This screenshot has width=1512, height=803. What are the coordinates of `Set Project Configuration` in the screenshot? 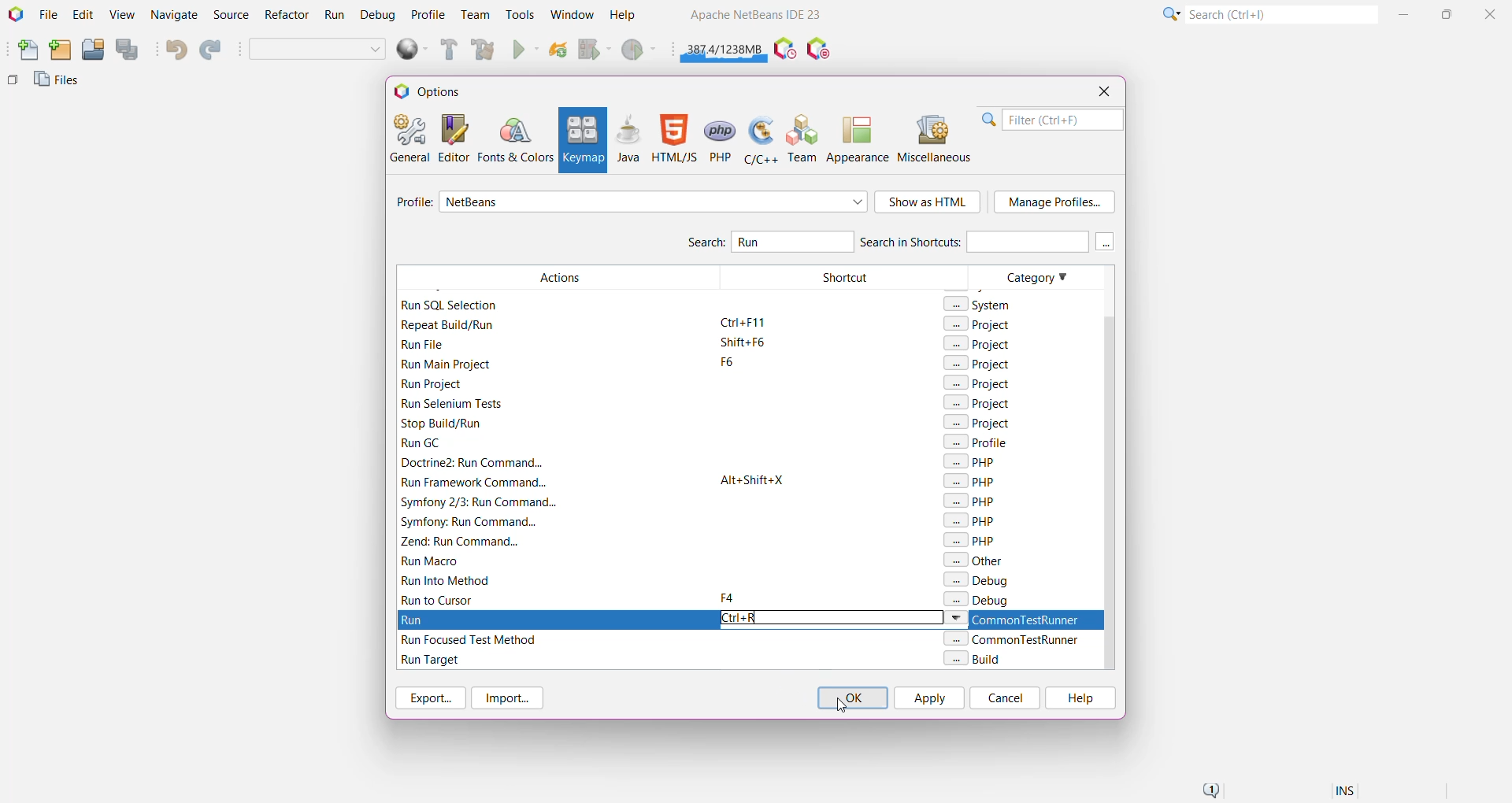 It's located at (318, 50).